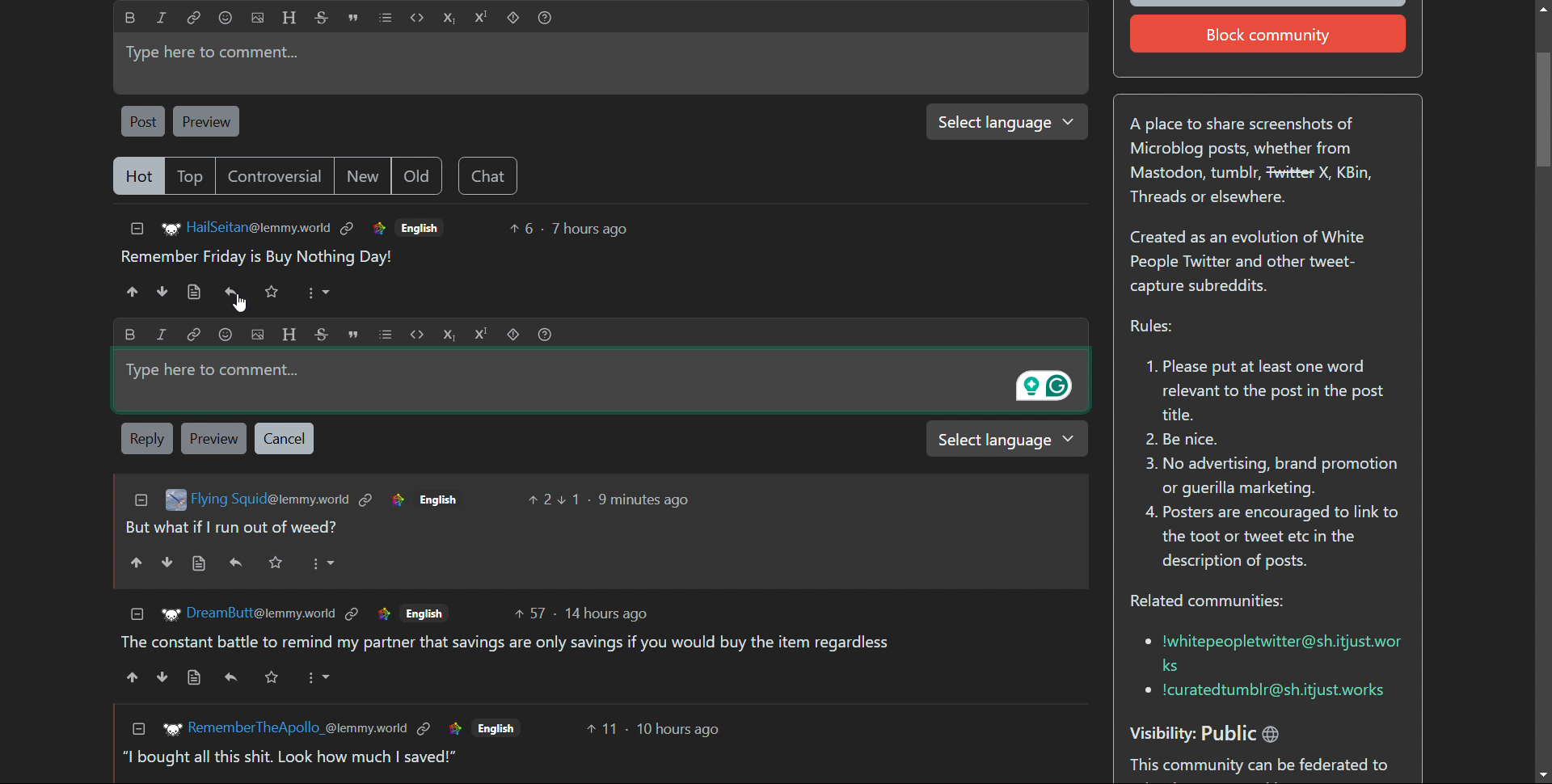 The image size is (1552, 784). What do you see at coordinates (130, 292) in the screenshot?
I see `upvotes` at bounding box center [130, 292].